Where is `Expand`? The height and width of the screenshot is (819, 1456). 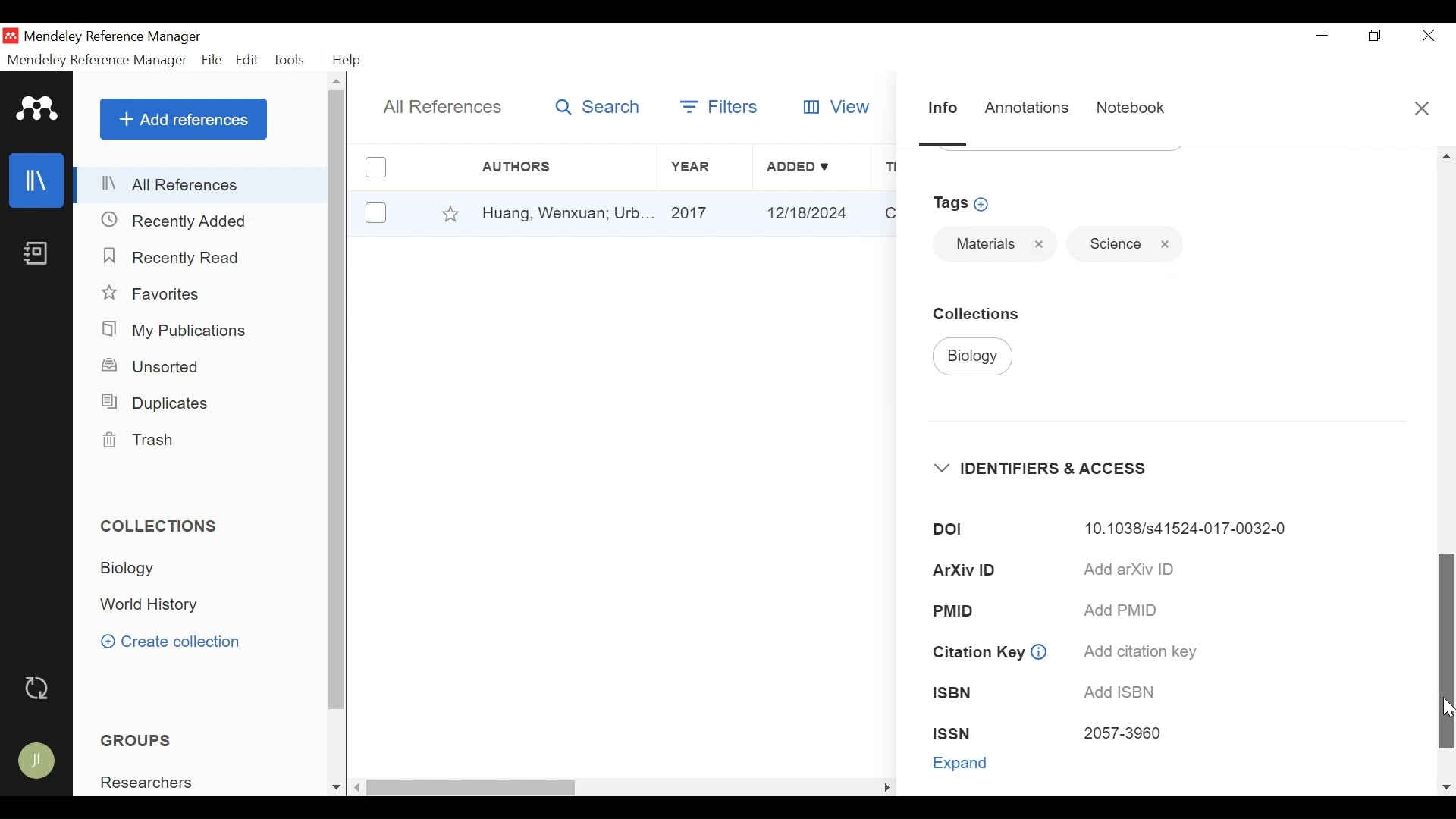
Expand is located at coordinates (962, 763).